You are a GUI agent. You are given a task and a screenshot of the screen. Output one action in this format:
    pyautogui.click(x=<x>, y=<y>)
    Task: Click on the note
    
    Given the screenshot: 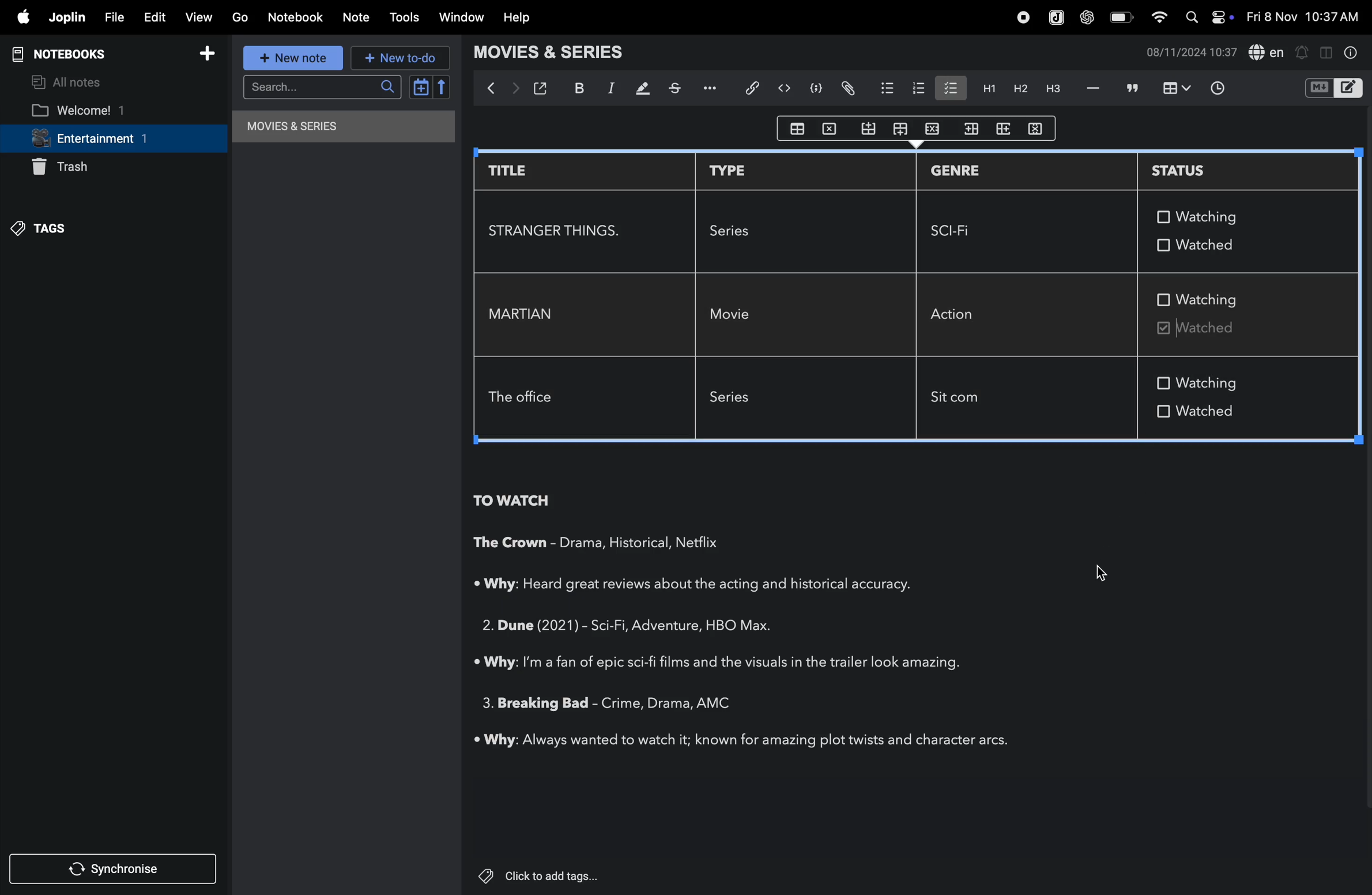 What is the action you would take?
    pyautogui.click(x=357, y=20)
    